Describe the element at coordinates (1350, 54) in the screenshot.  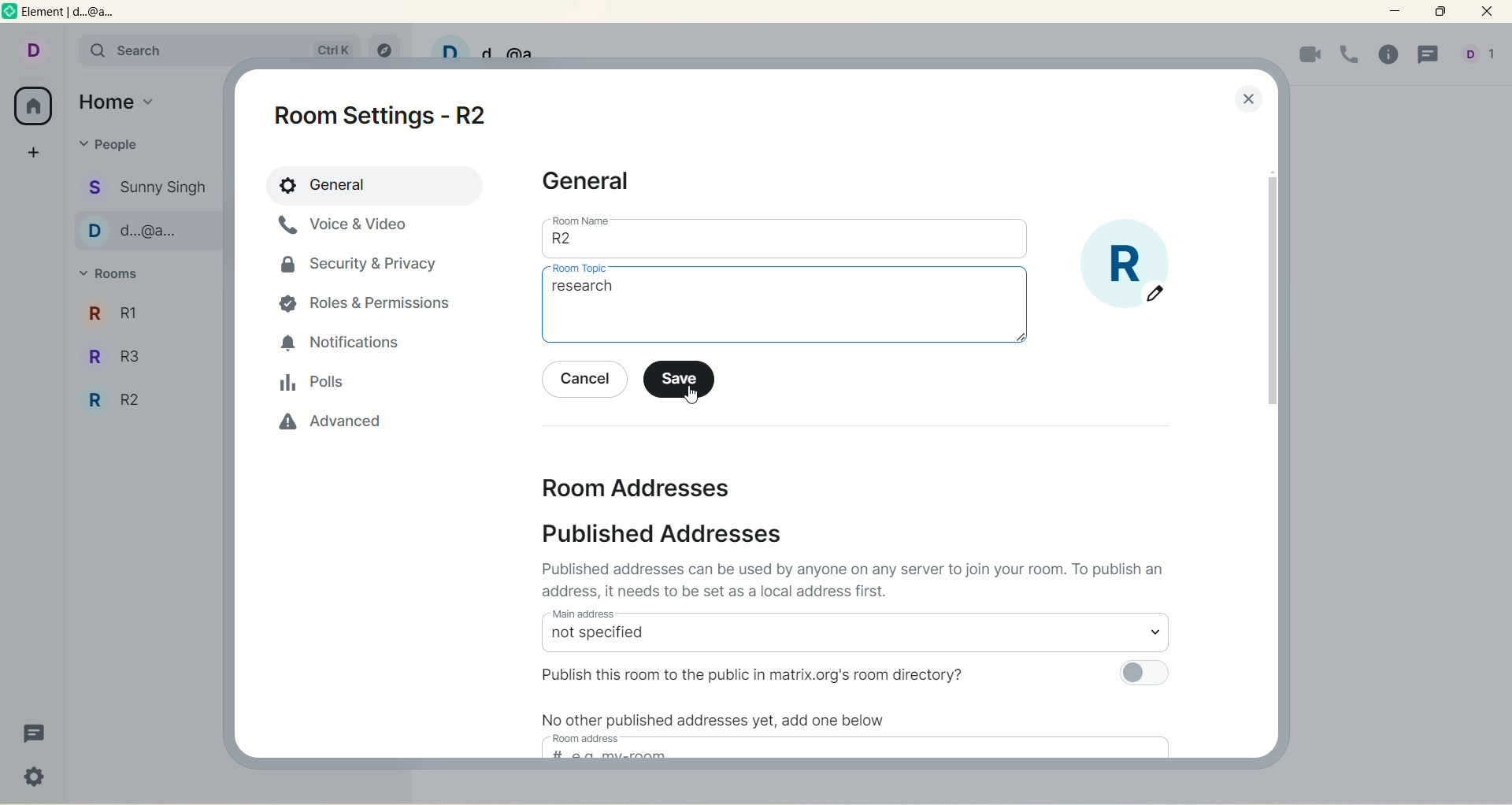
I see `voice call` at that location.